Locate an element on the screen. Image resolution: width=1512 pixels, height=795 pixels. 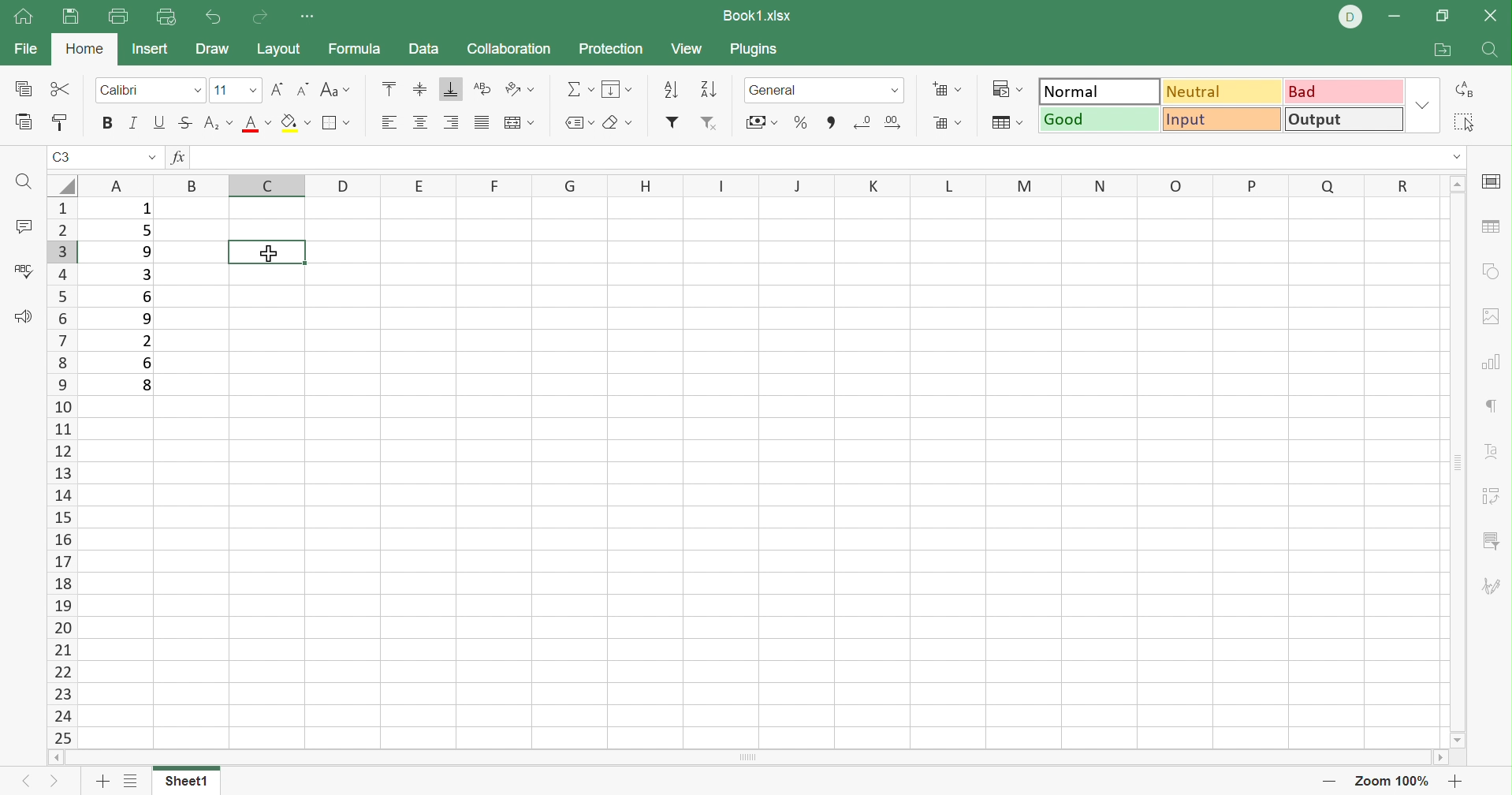
Decrement font size is located at coordinates (304, 90).